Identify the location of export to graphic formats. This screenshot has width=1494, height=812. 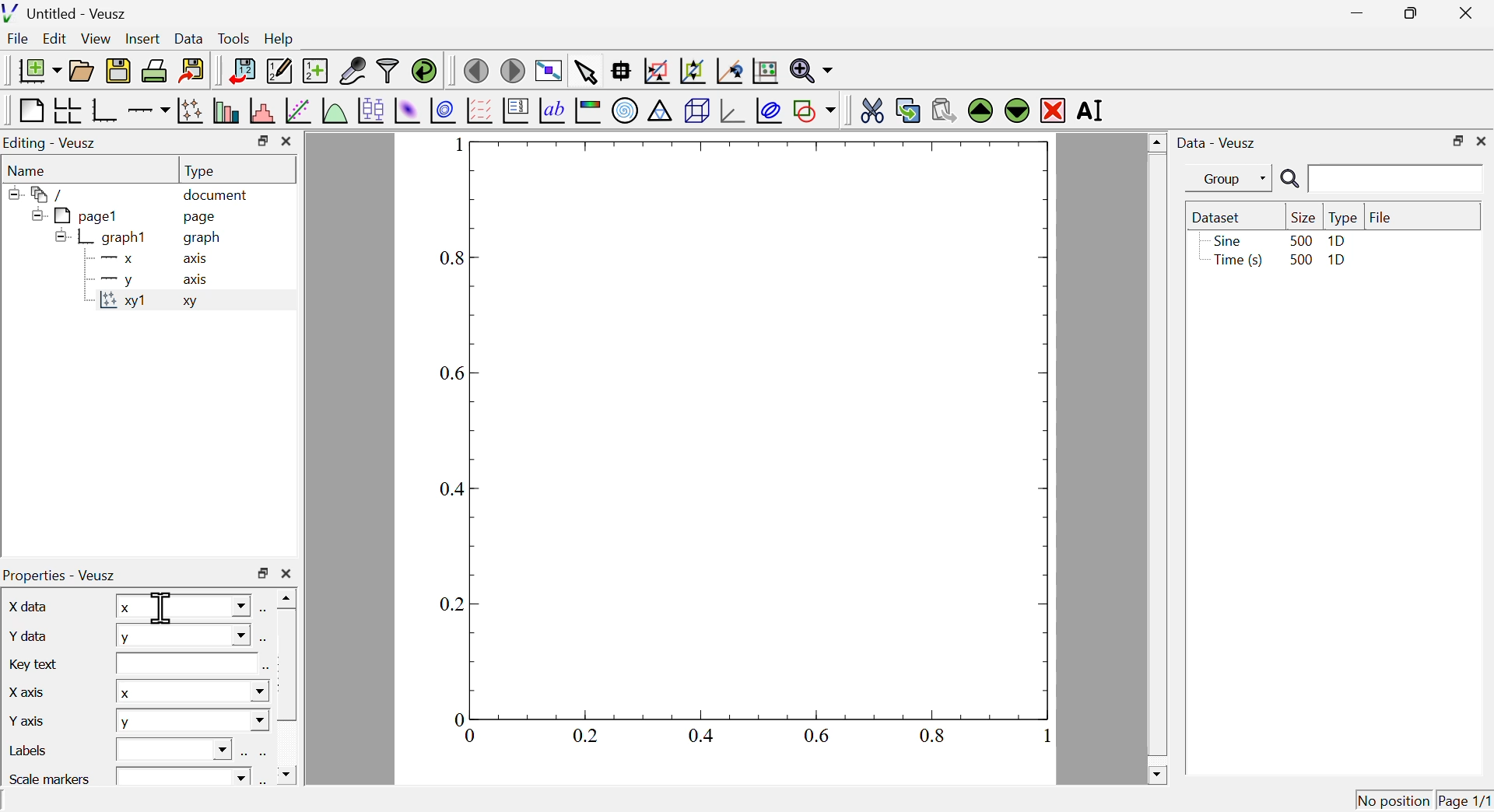
(192, 72).